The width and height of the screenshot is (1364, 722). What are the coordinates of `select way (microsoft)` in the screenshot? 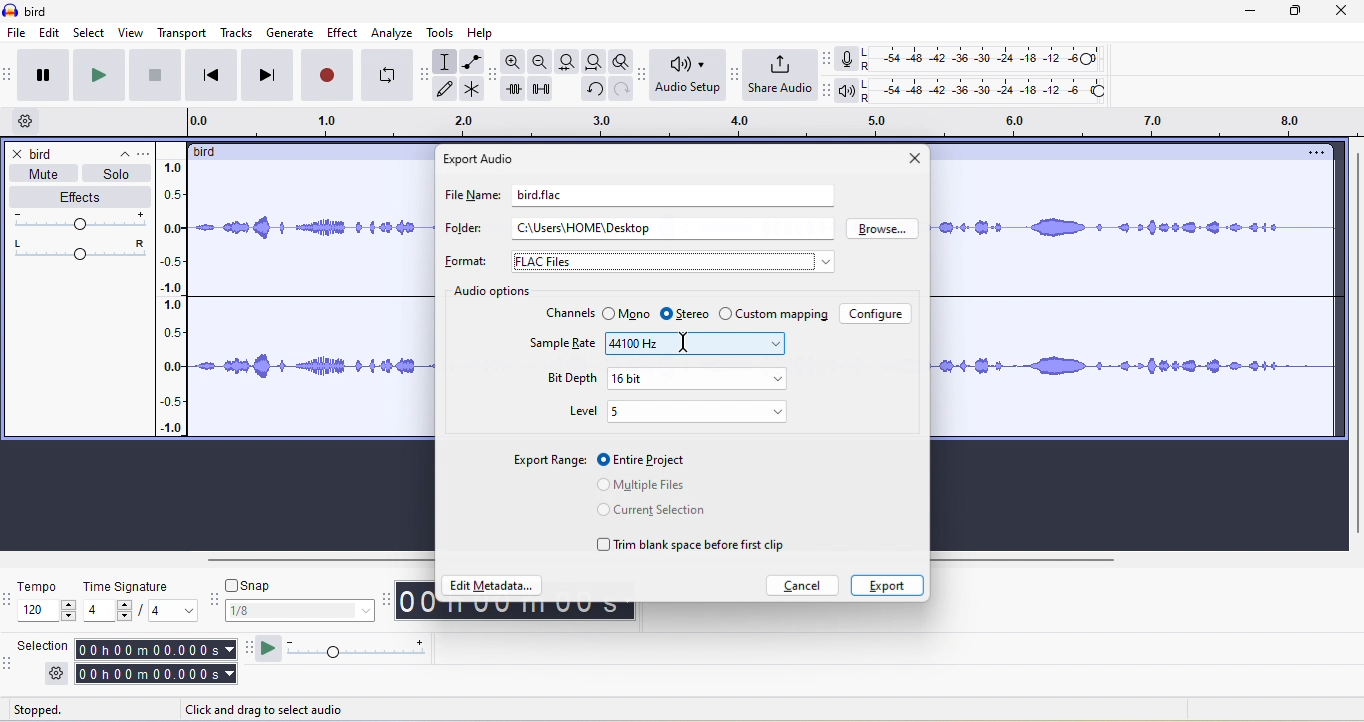 It's located at (673, 259).